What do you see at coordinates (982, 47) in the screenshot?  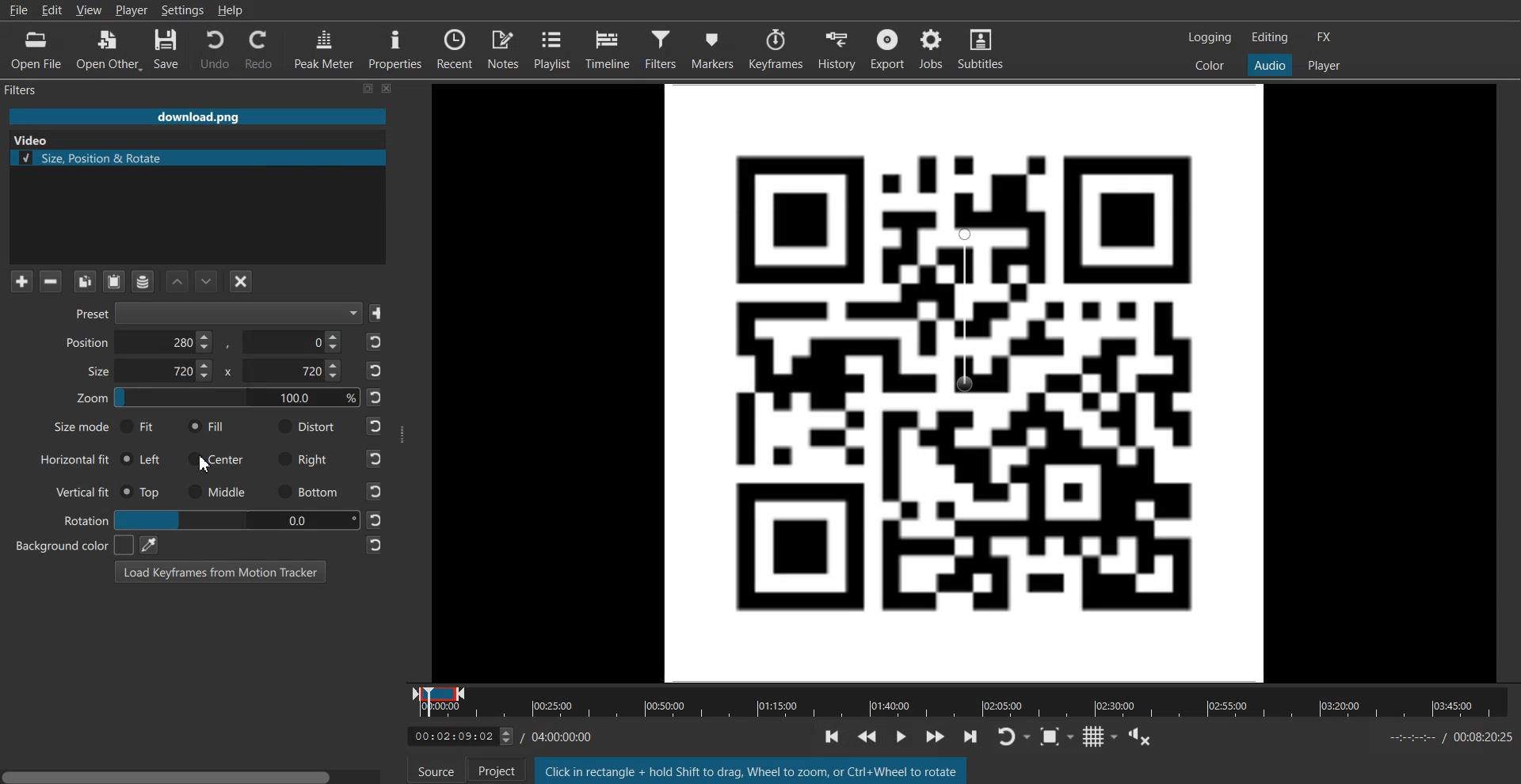 I see `Subtitles` at bounding box center [982, 47].